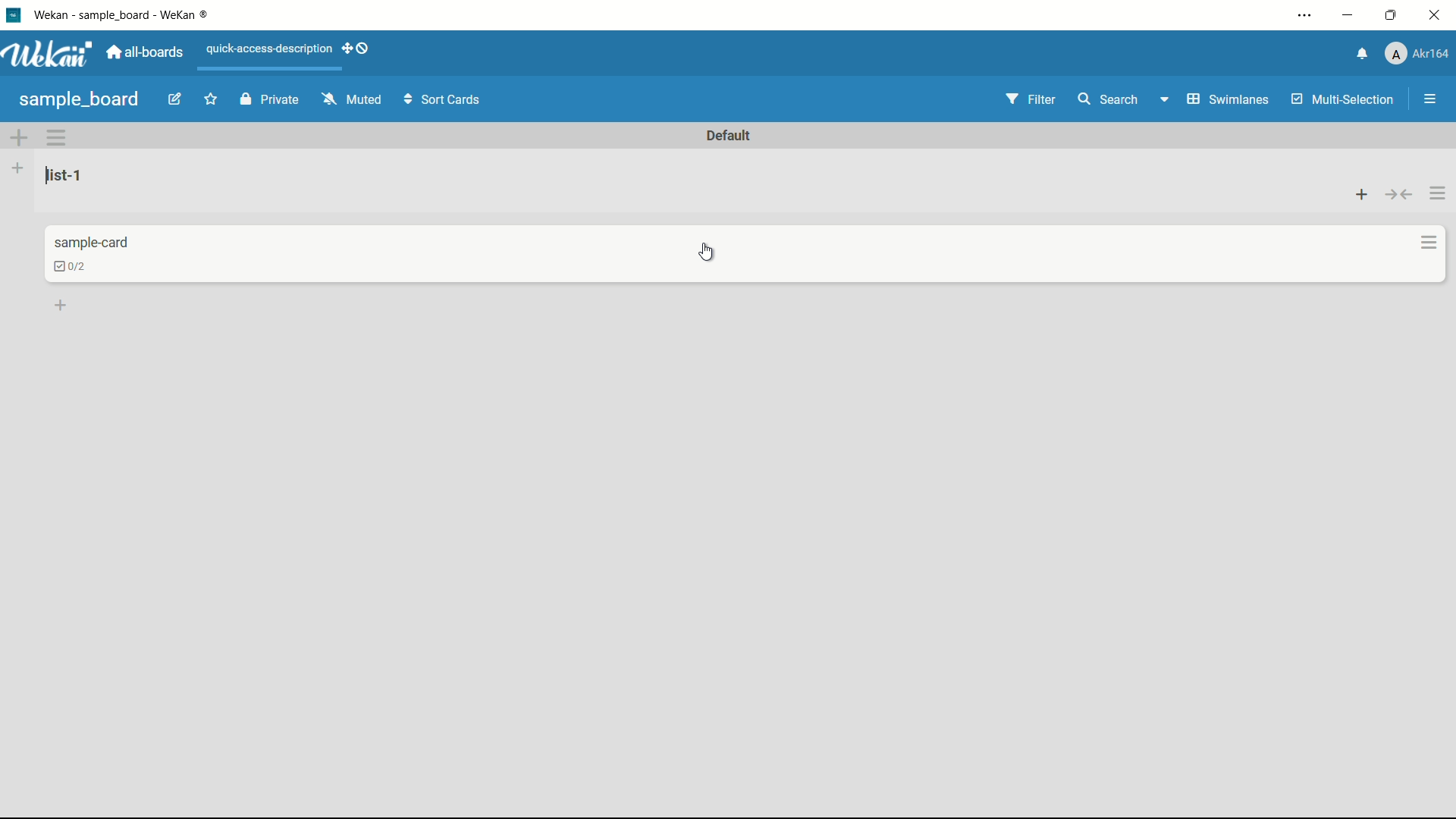  What do you see at coordinates (58, 138) in the screenshot?
I see `swimlane actions` at bounding box center [58, 138].